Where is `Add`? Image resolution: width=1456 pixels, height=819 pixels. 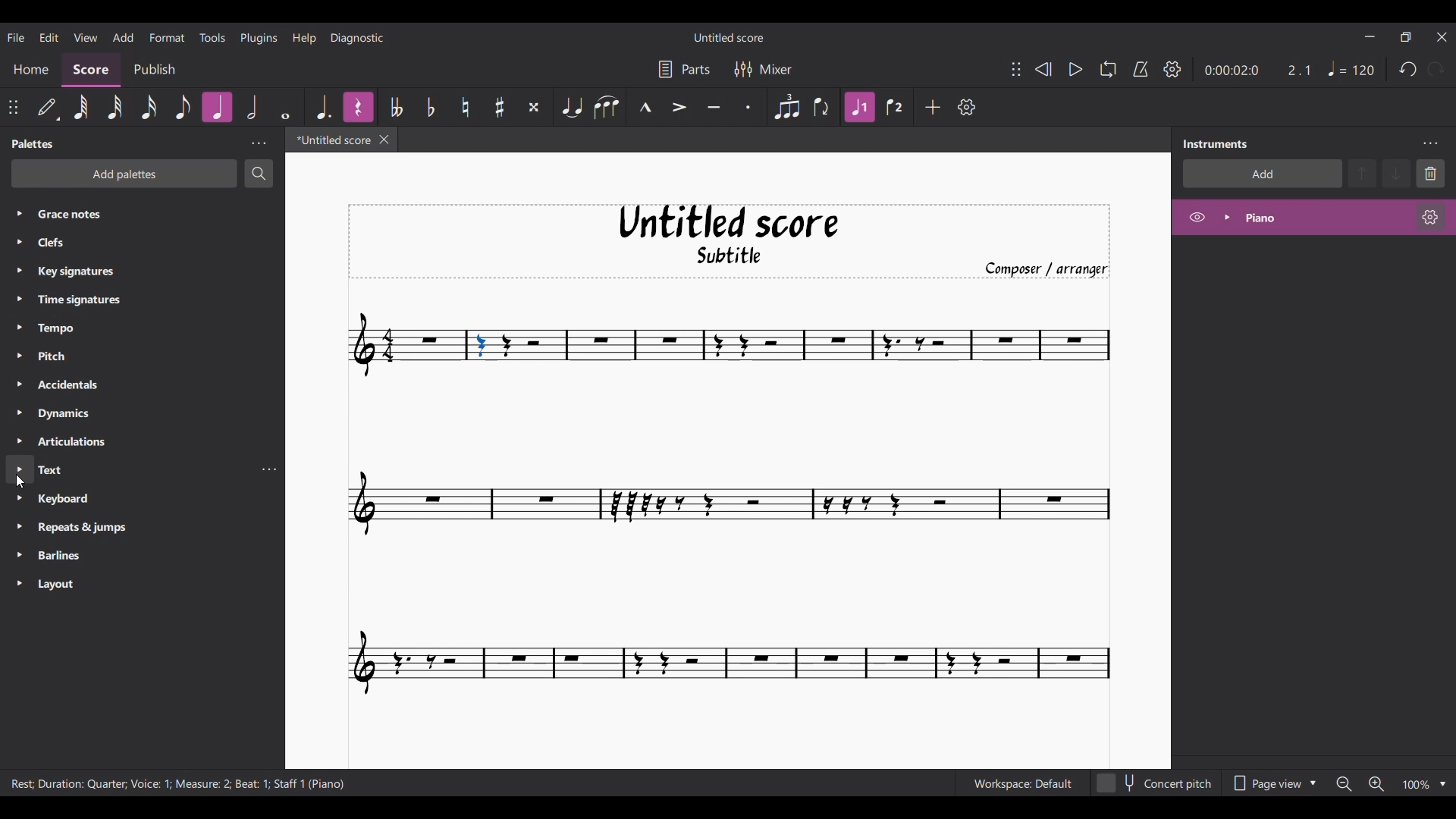
Add is located at coordinates (933, 107).